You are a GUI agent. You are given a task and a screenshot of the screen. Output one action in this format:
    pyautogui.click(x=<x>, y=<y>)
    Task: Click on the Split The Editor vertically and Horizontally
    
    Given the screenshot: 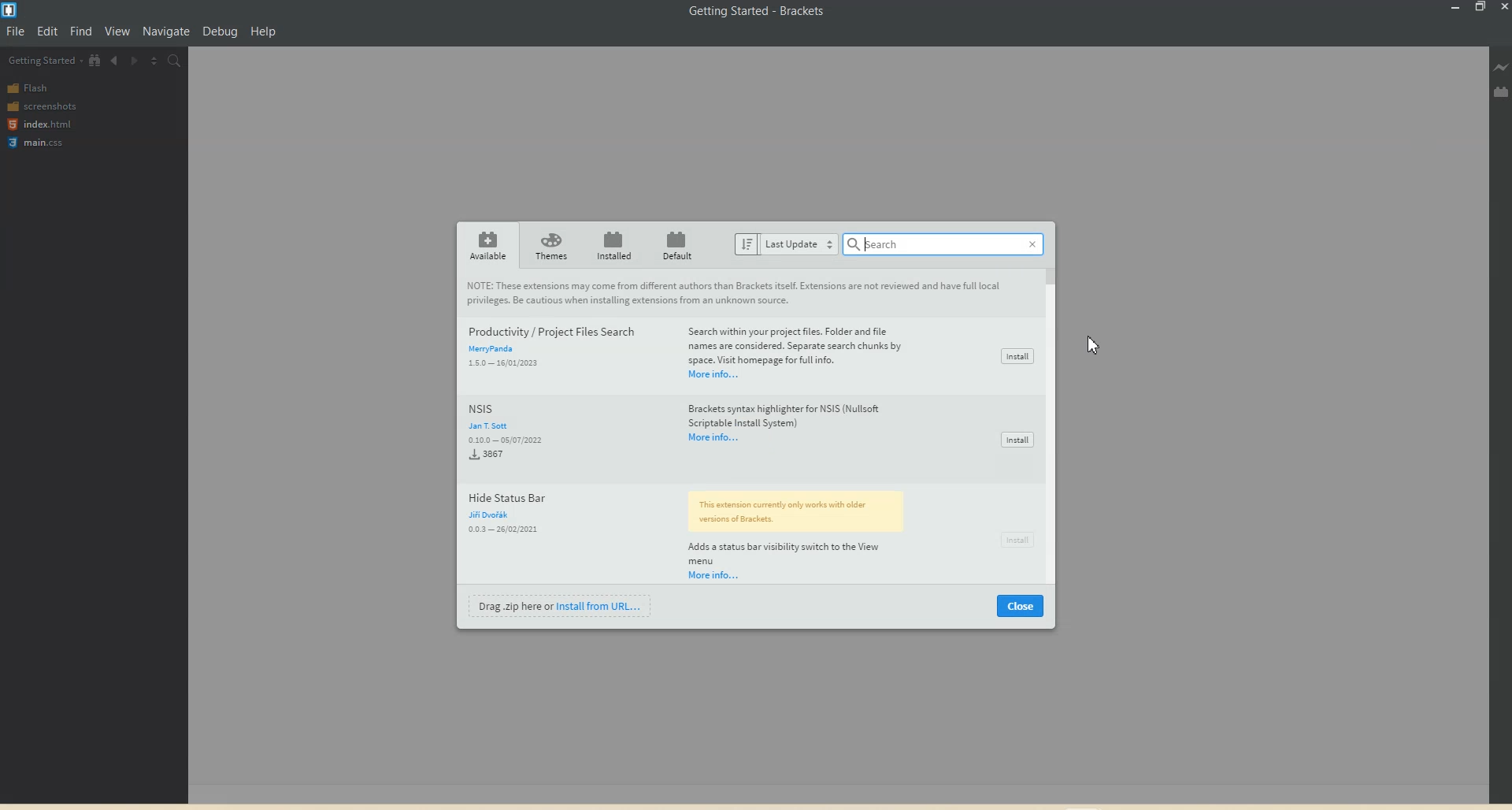 What is the action you would take?
    pyautogui.click(x=154, y=61)
    